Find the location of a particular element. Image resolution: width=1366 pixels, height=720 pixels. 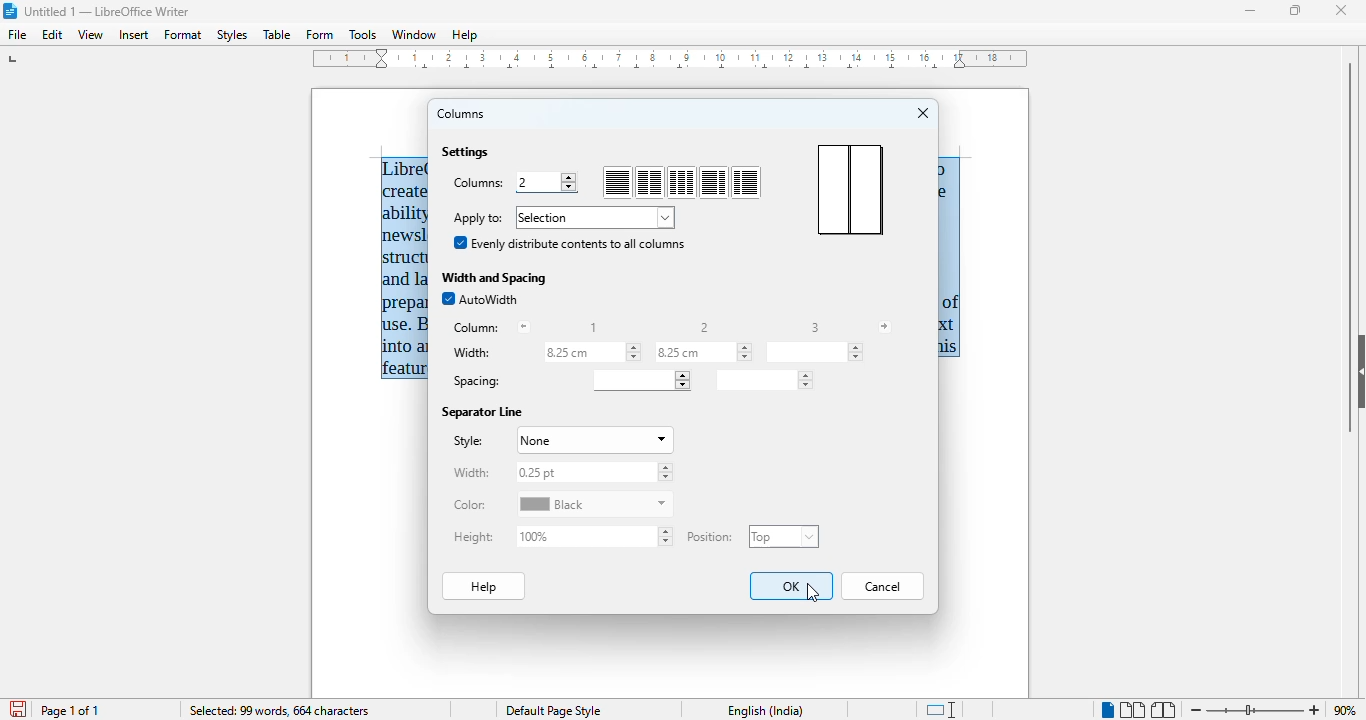

save document is located at coordinates (16, 706).